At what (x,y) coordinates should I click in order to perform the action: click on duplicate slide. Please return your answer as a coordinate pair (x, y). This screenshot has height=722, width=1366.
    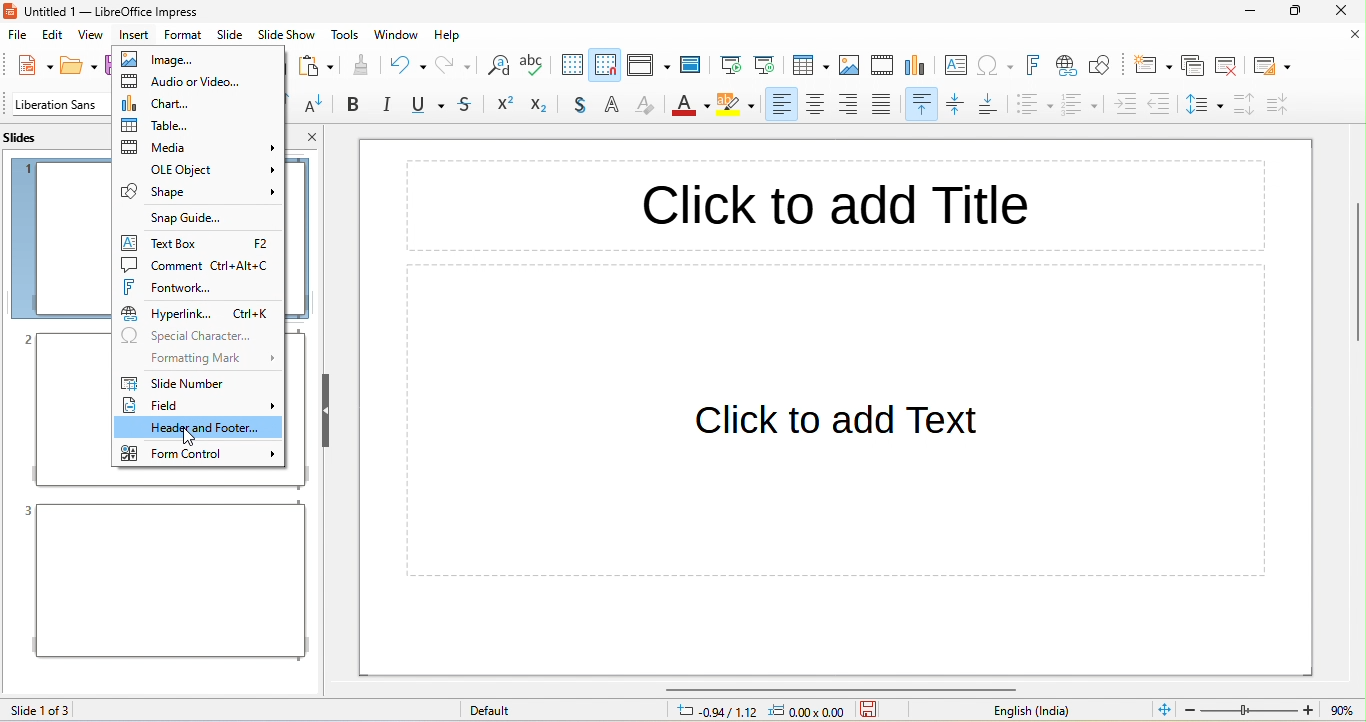
    Looking at the image, I should click on (1192, 65).